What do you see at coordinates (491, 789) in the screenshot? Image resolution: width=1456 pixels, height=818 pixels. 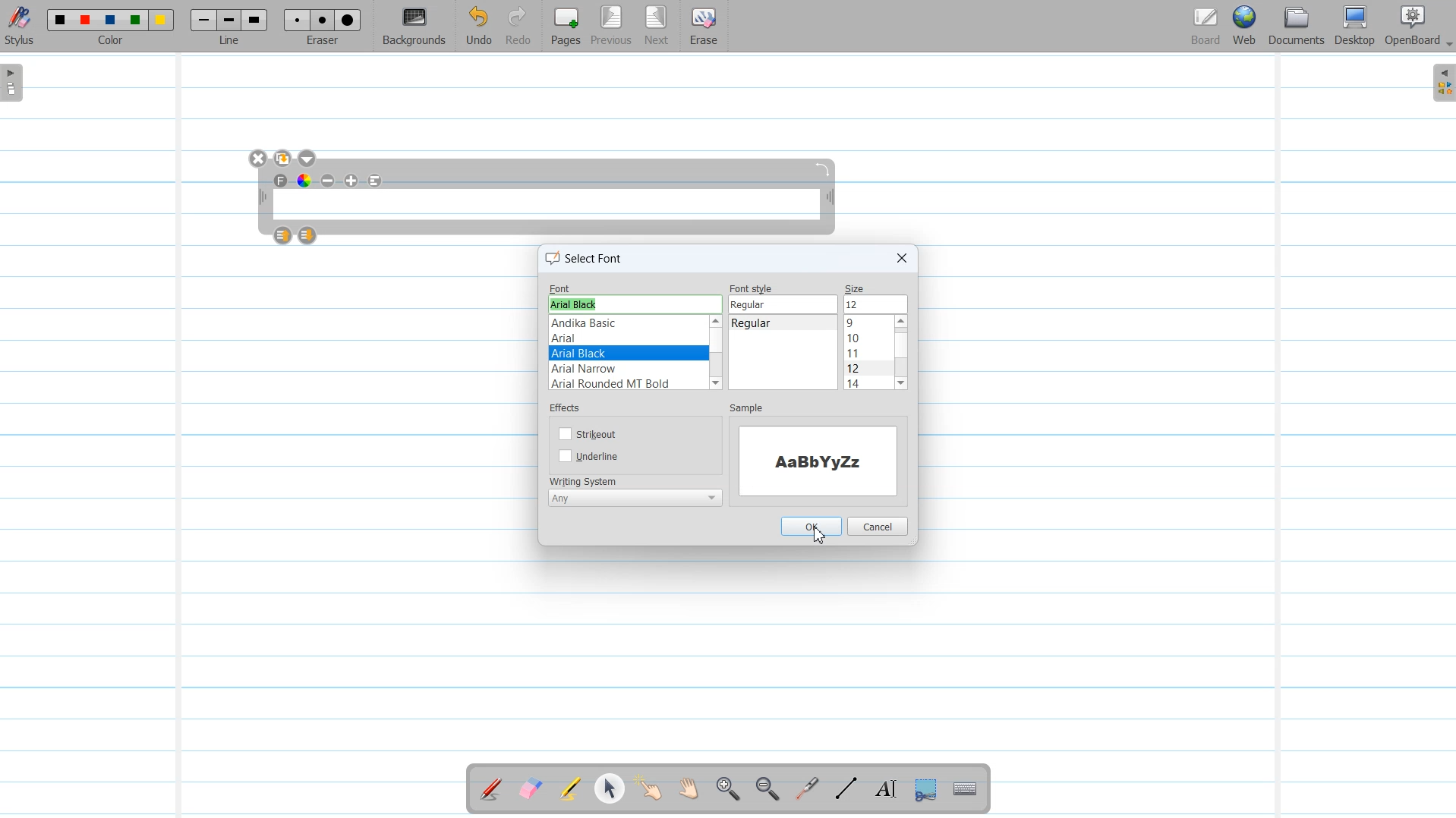 I see `Annotate Document` at bounding box center [491, 789].